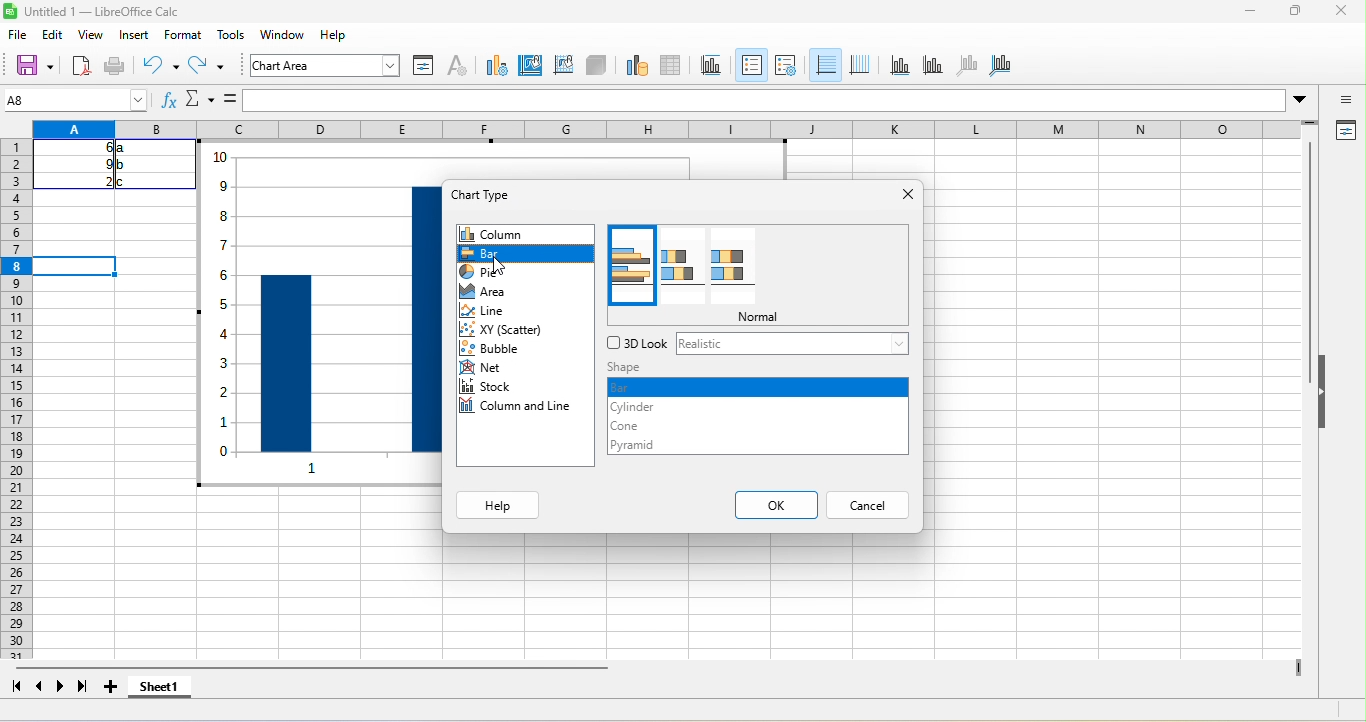 This screenshot has height=722, width=1366. Describe the element at coordinates (595, 65) in the screenshot. I see `3d view` at that location.